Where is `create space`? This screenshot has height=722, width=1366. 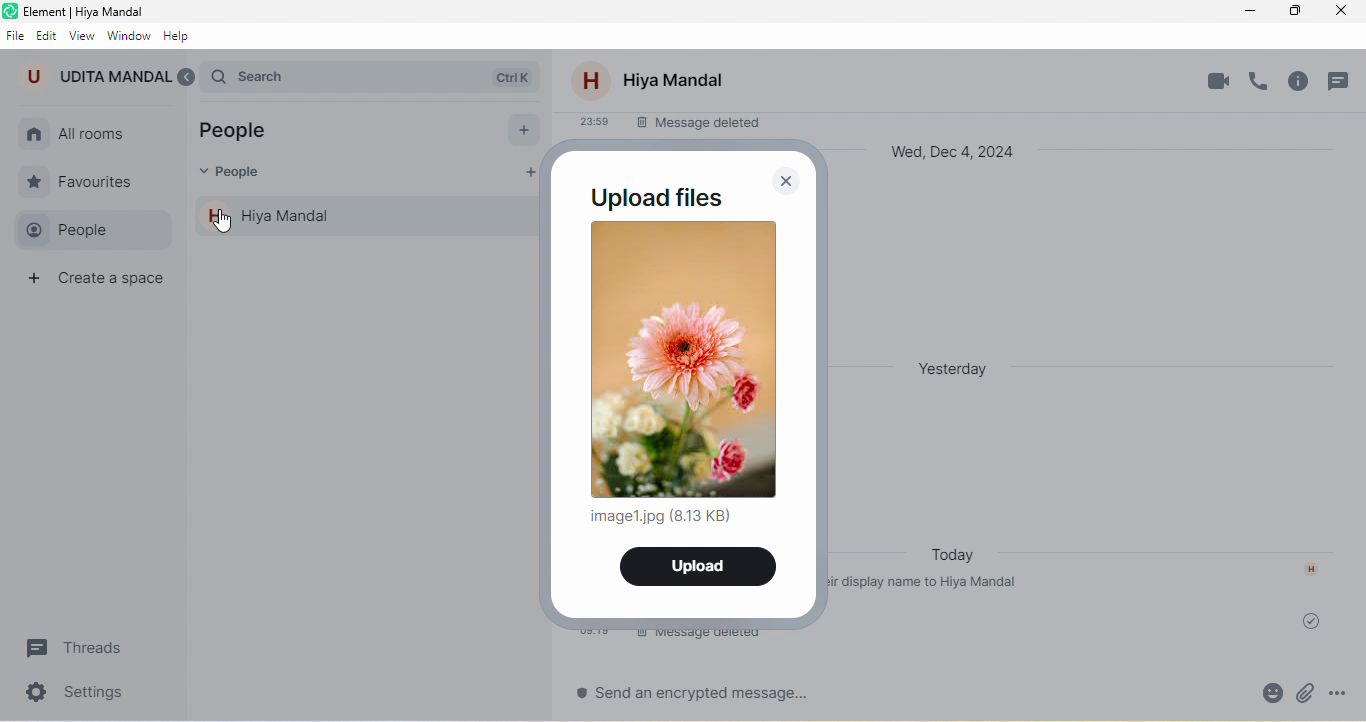 create space is located at coordinates (100, 282).